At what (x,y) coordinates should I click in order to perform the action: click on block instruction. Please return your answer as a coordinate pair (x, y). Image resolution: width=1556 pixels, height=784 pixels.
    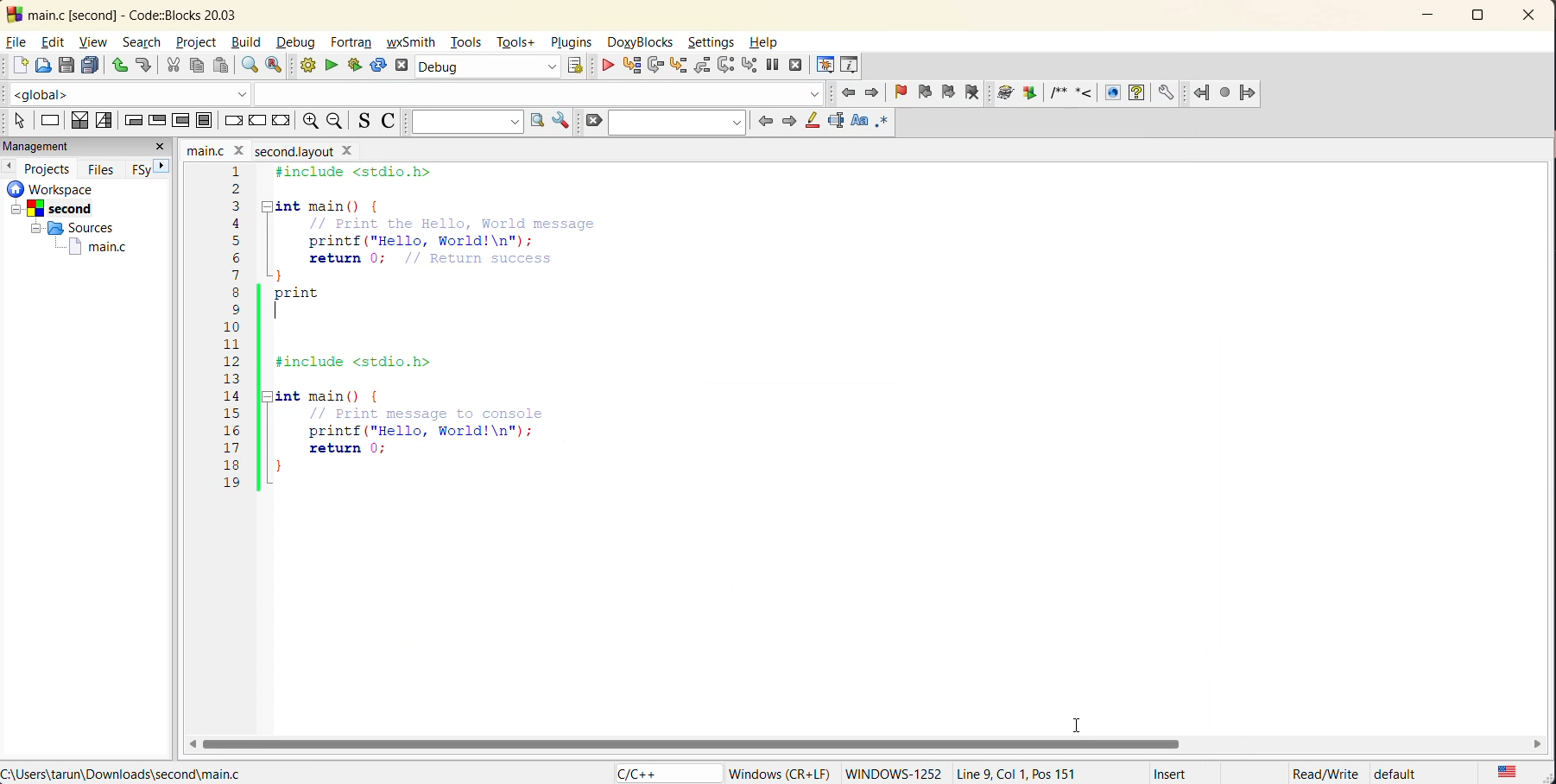
    Looking at the image, I should click on (206, 121).